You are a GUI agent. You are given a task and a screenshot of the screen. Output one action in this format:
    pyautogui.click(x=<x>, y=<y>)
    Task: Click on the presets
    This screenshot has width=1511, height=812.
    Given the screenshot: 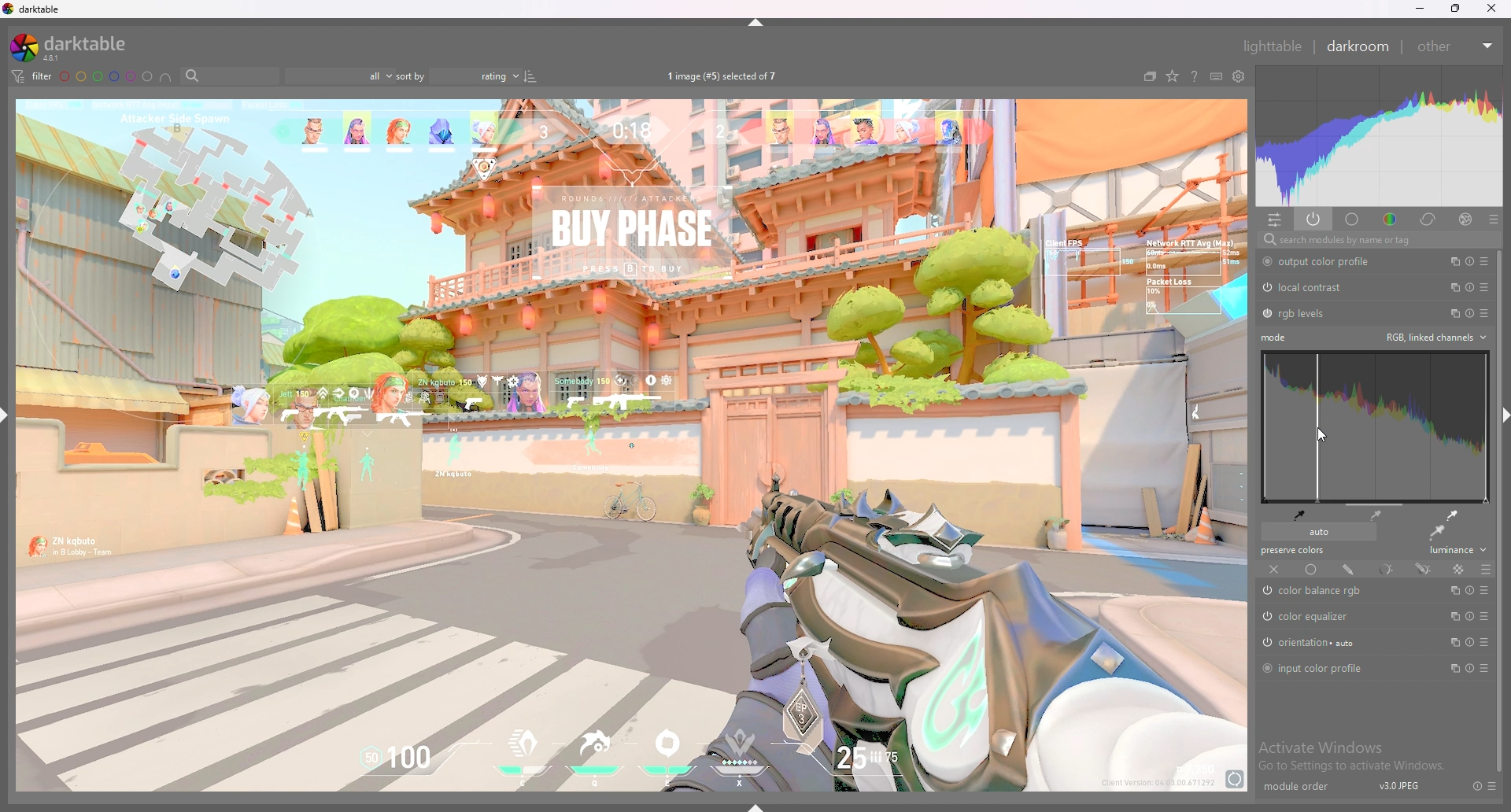 What is the action you would take?
    pyautogui.click(x=1485, y=286)
    